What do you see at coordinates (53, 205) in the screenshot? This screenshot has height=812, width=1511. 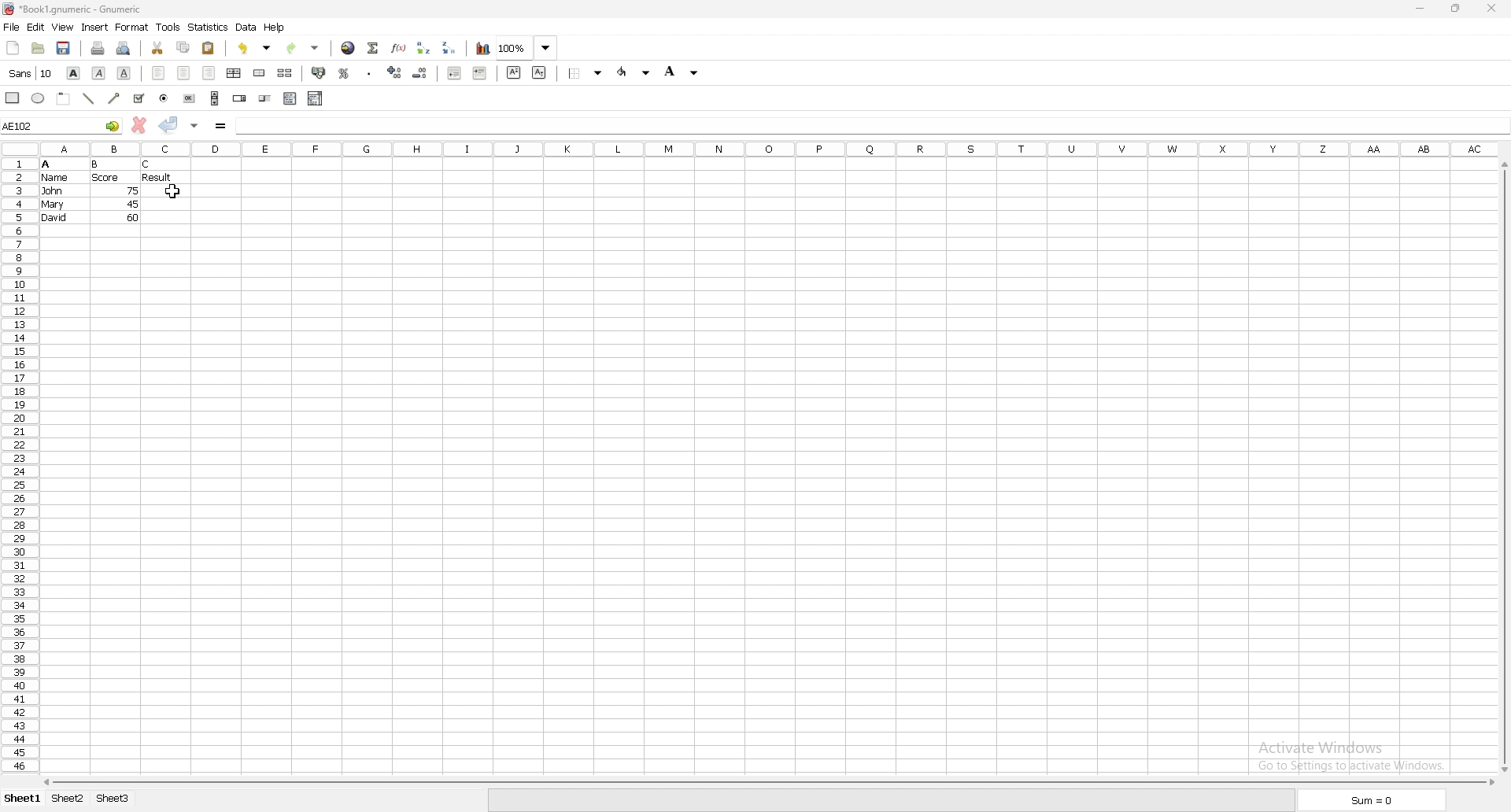 I see `mary` at bounding box center [53, 205].